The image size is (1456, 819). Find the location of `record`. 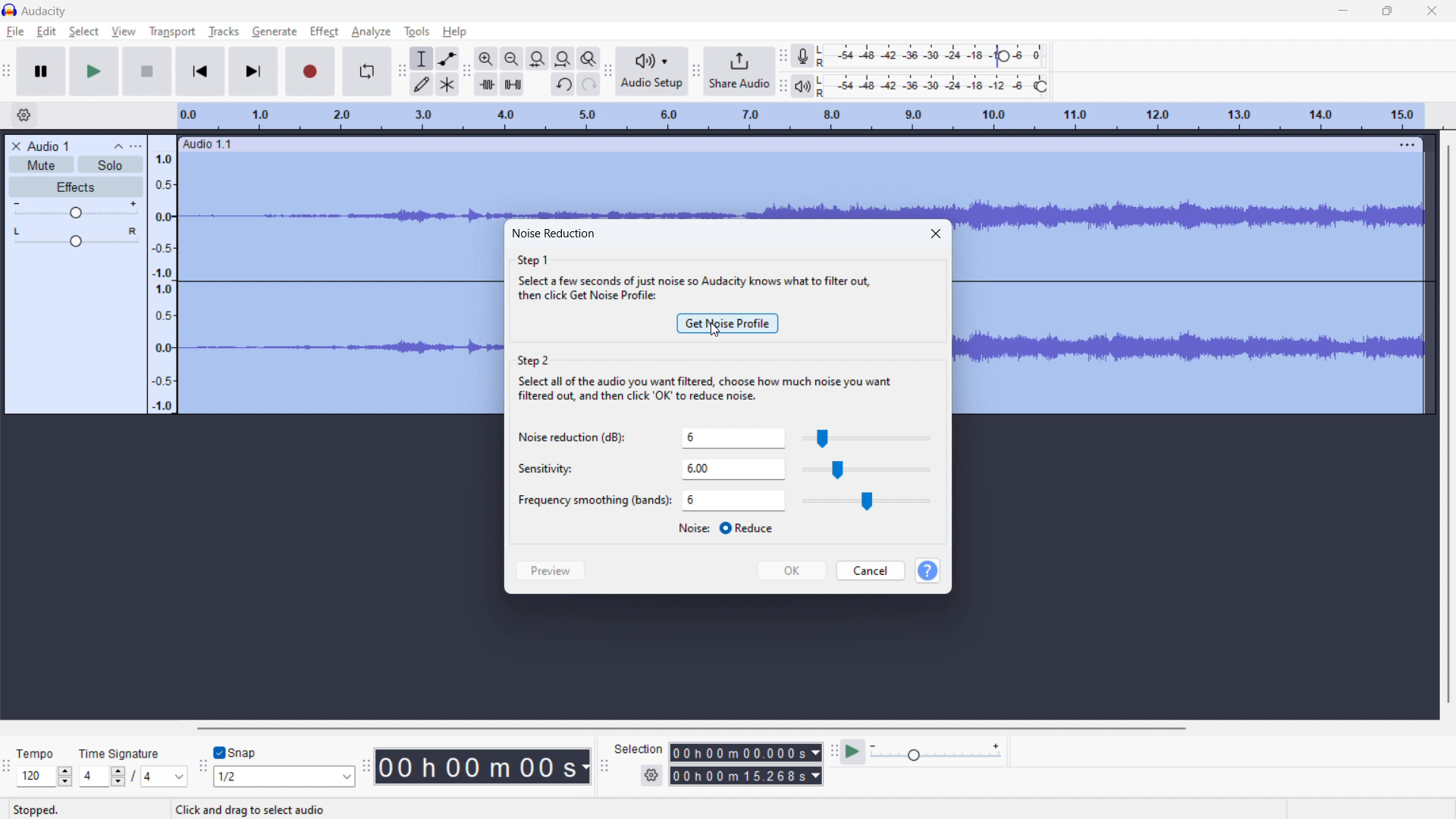

record is located at coordinates (309, 71).